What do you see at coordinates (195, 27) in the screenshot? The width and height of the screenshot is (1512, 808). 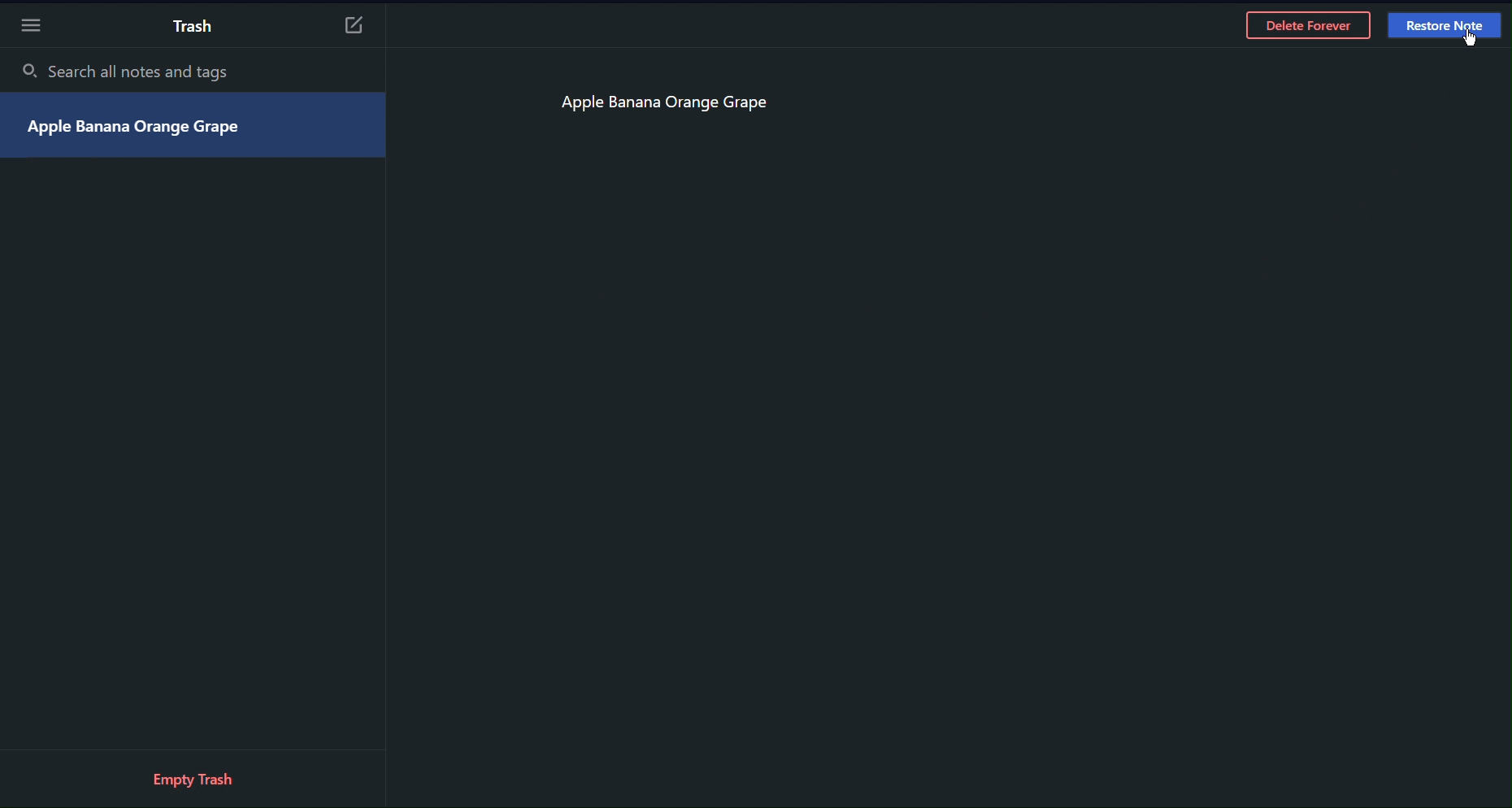 I see `Trash` at bounding box center [195, 27].